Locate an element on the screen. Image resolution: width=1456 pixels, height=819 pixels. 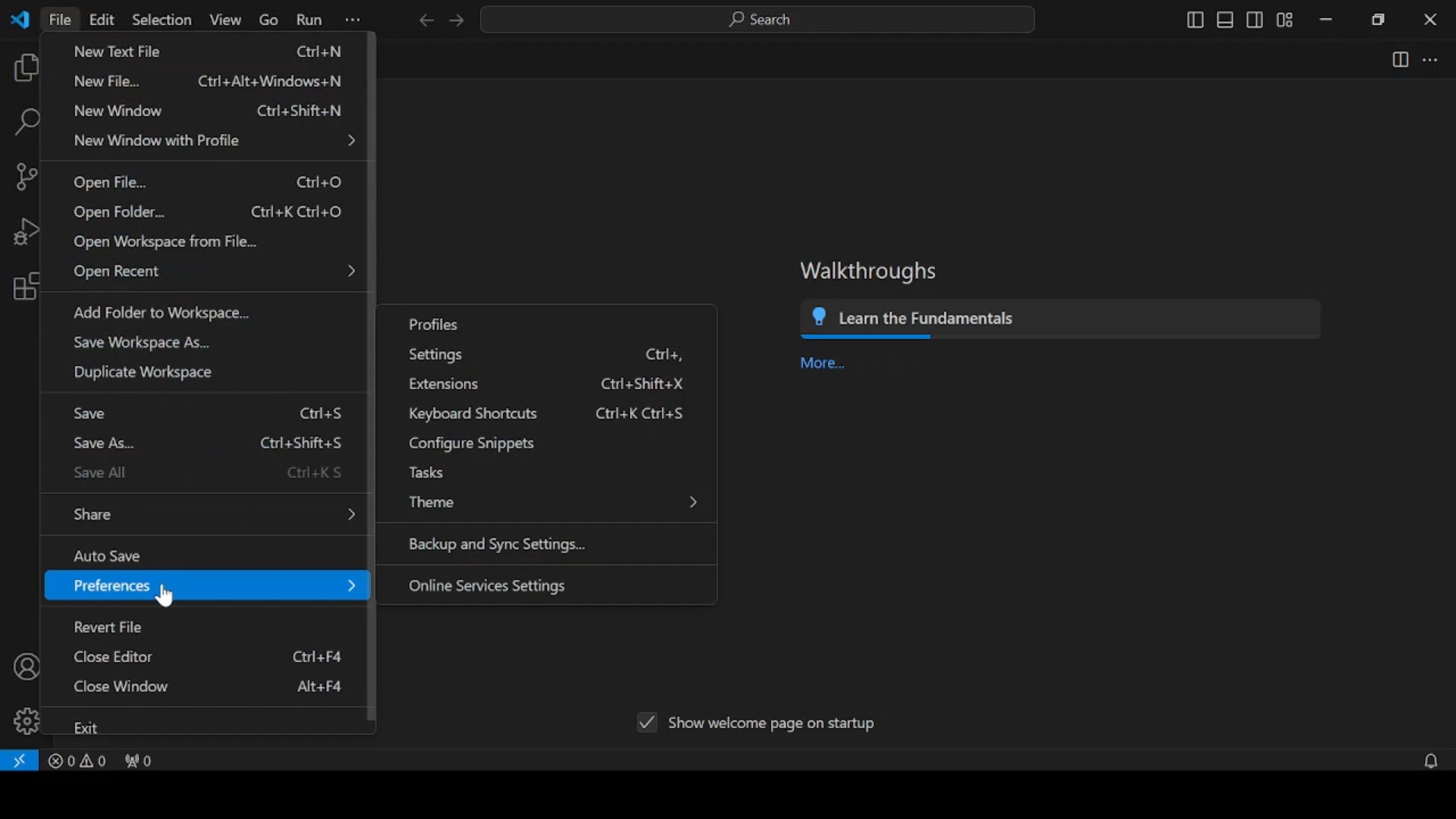
extensions is located at coordinates (25, 284).